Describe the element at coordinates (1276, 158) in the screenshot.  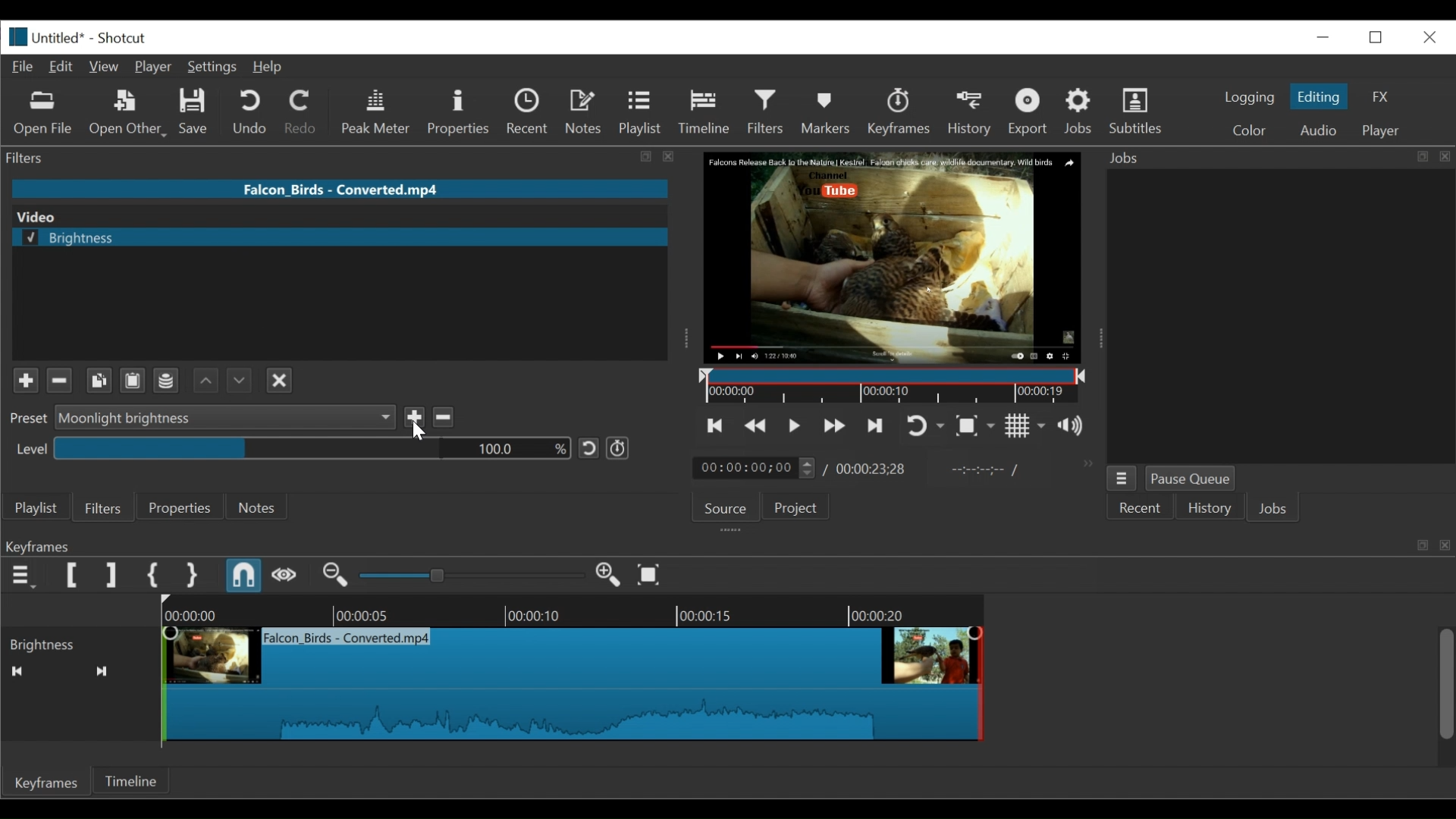
I see `Jobs Panel` at that location.